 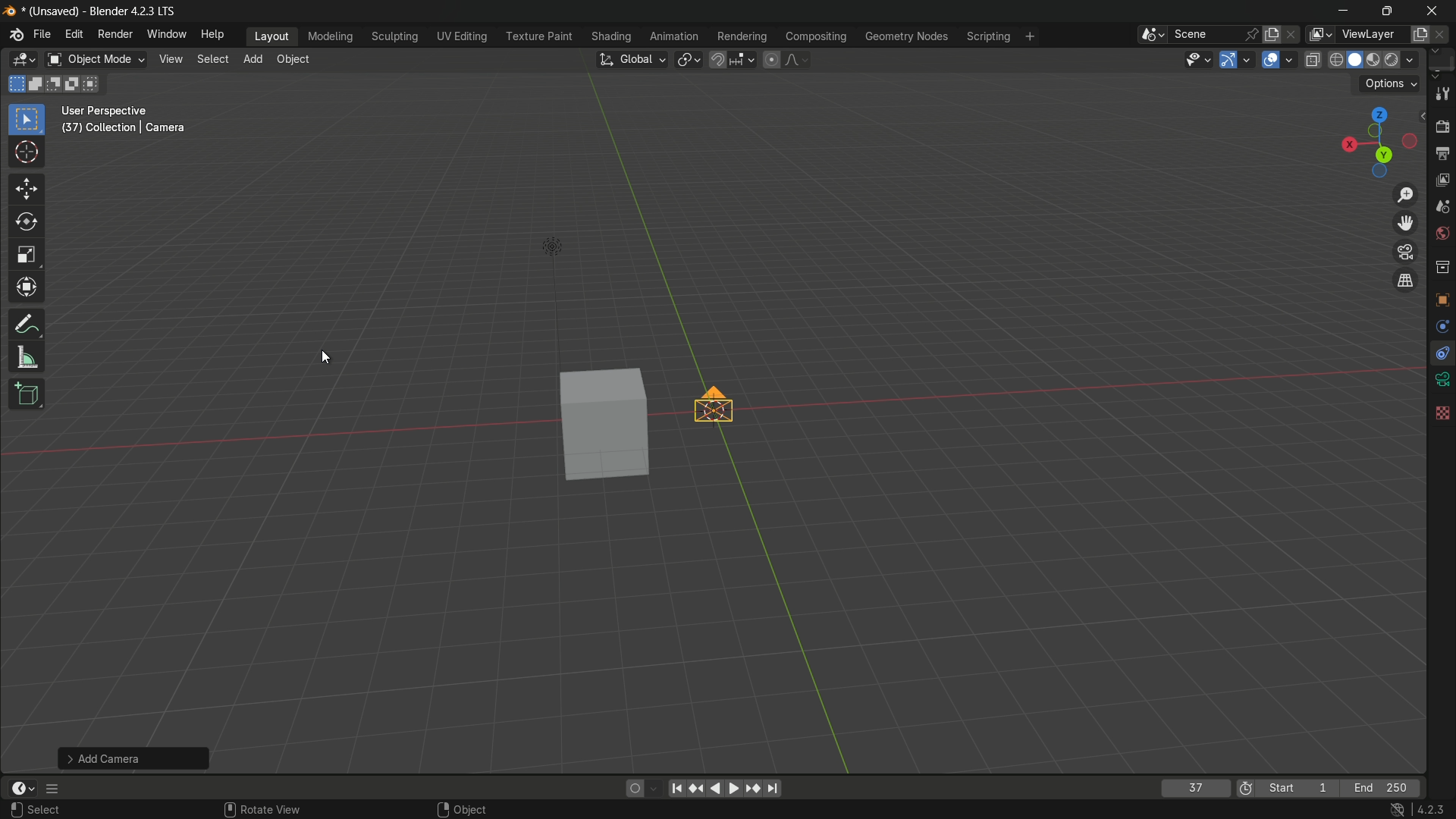 I want to click on tog, so click(x=1403, y=280).